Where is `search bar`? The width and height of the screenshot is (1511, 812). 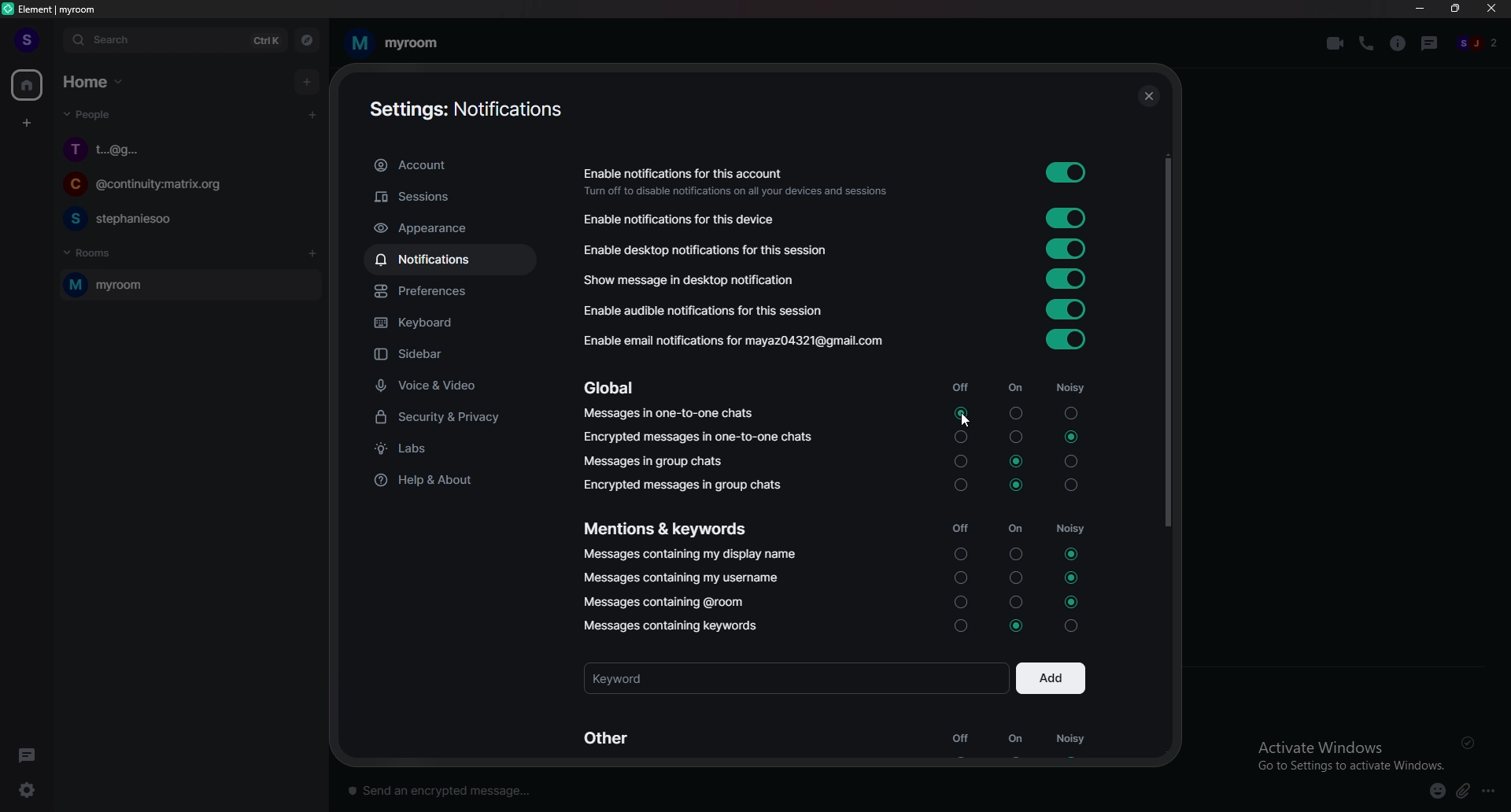 search bar is located at coordinates (176, 39).